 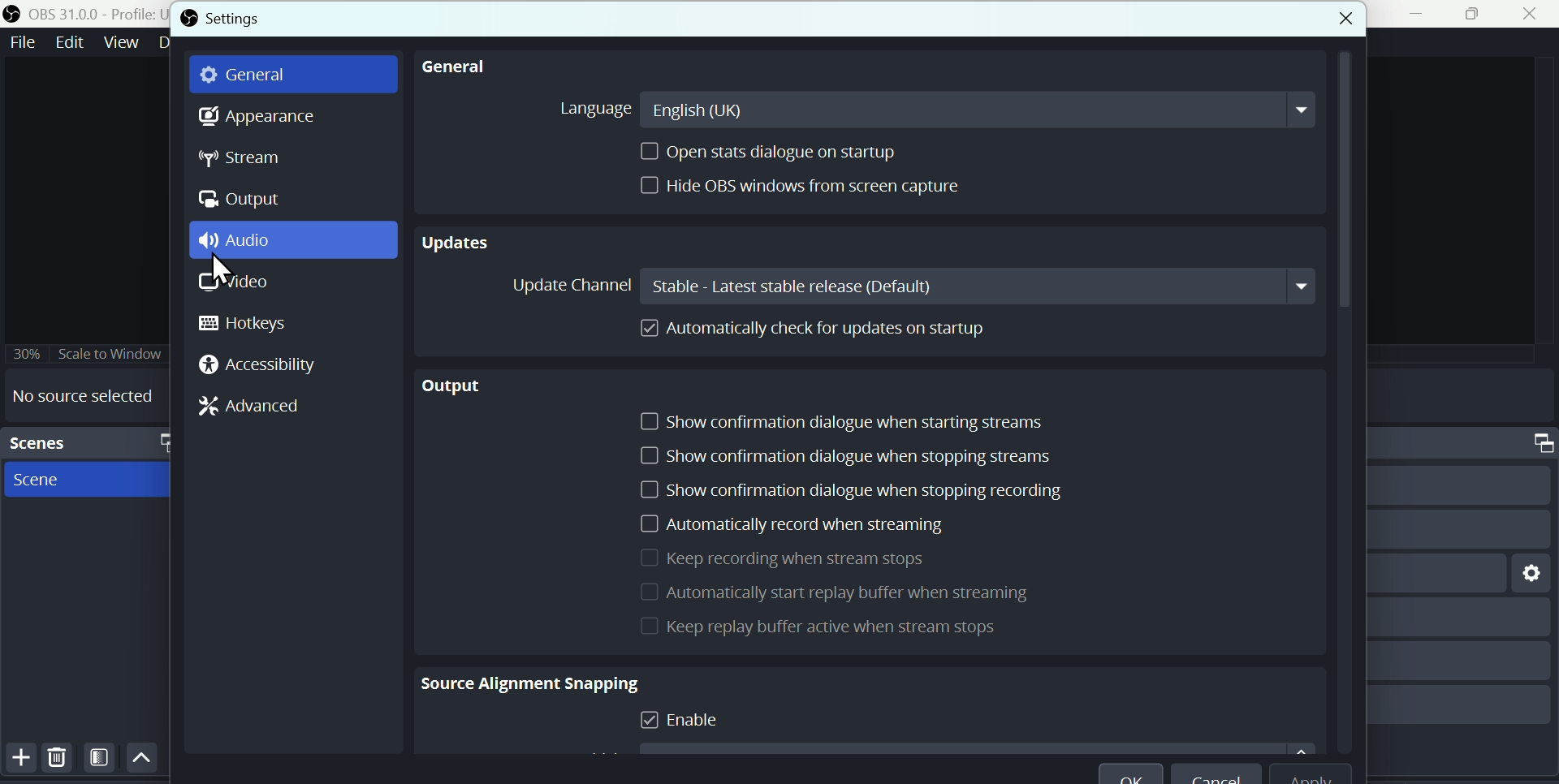 I want to click on Filter, so click(x=101, y=760).